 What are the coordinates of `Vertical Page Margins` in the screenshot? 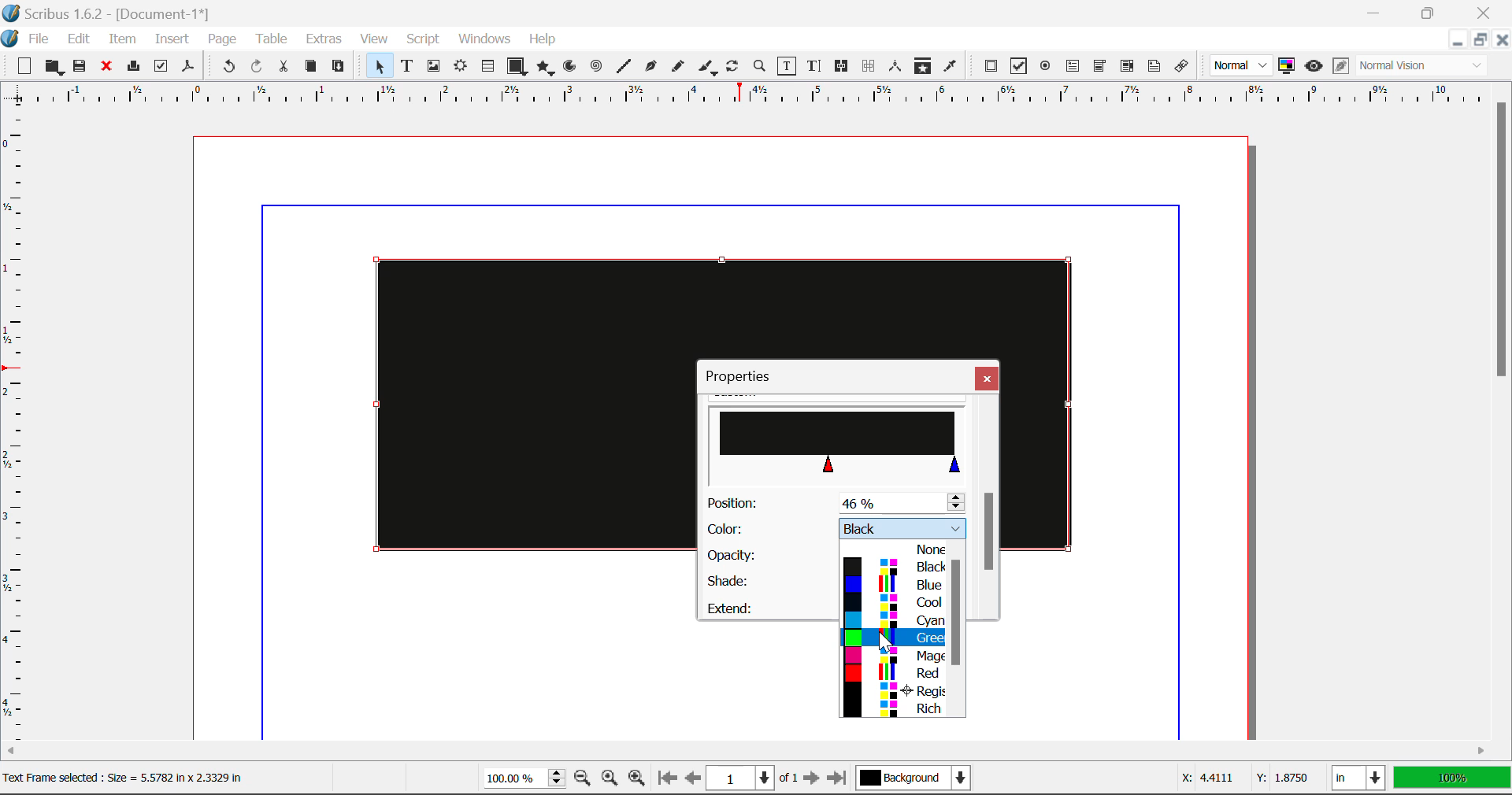 It's located at (755, 99).